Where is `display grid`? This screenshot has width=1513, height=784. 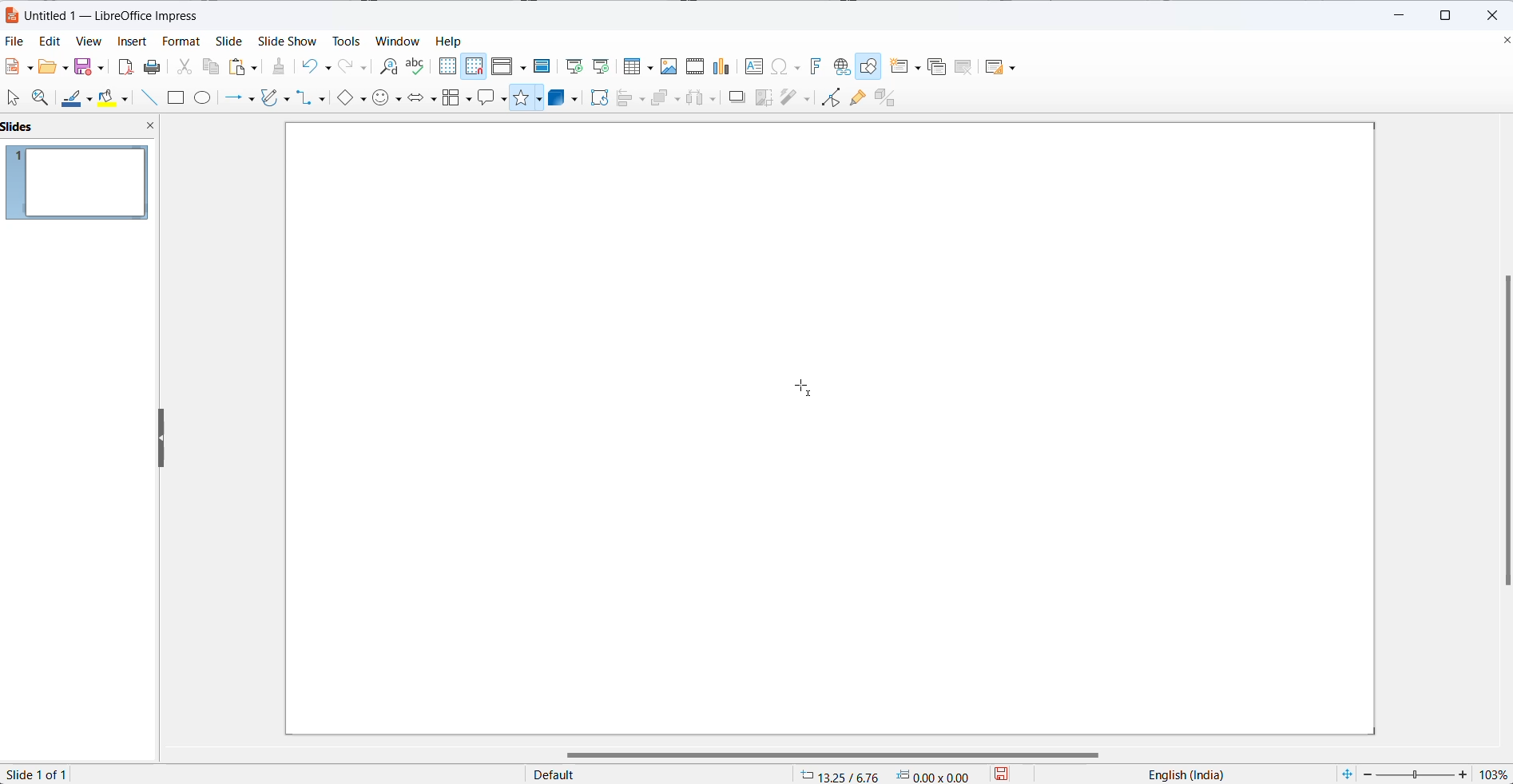 display grid is located at coordinates (447, 66).